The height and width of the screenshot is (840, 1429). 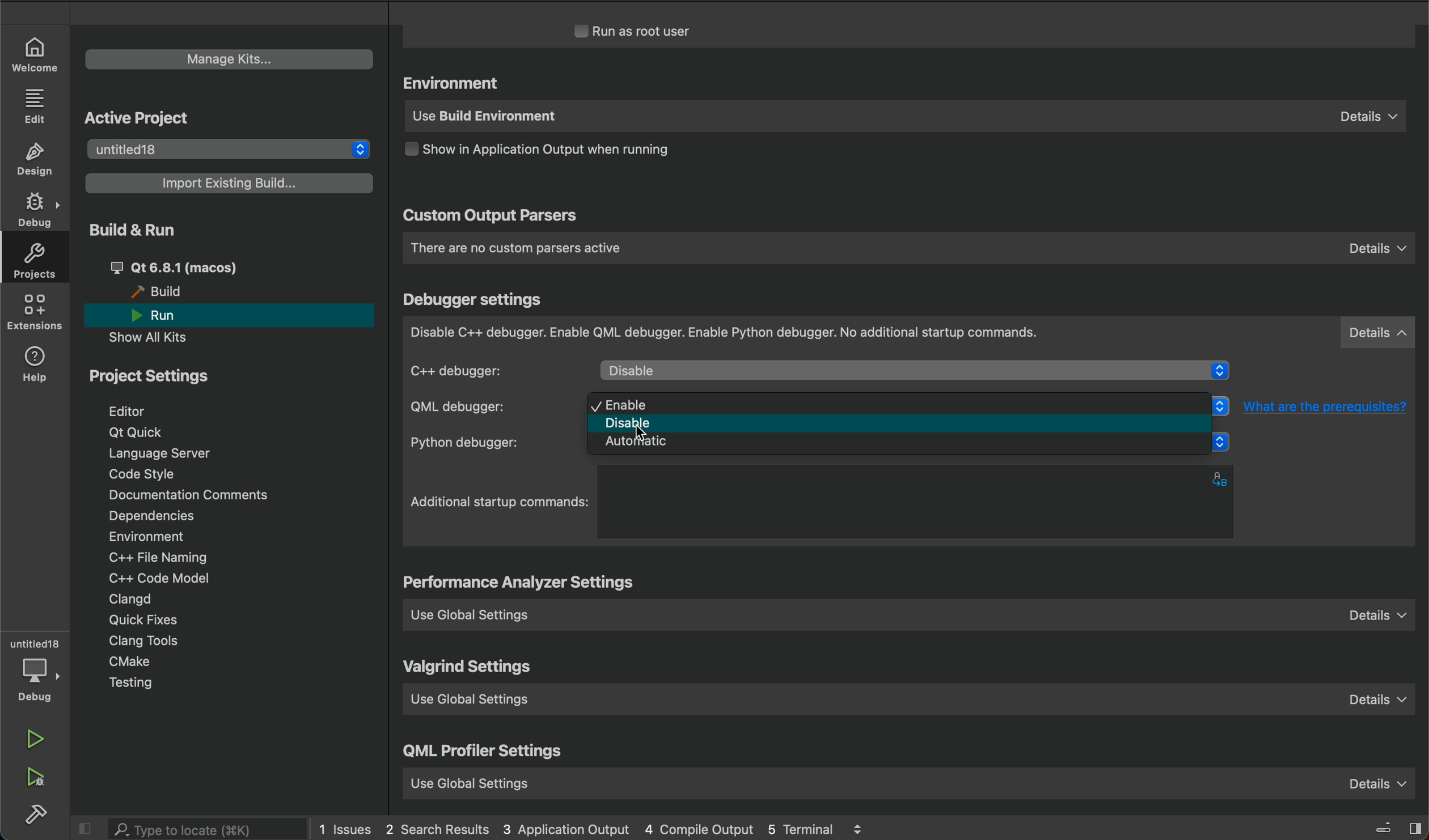 I want to click on testing, so click(x=133, y=683).